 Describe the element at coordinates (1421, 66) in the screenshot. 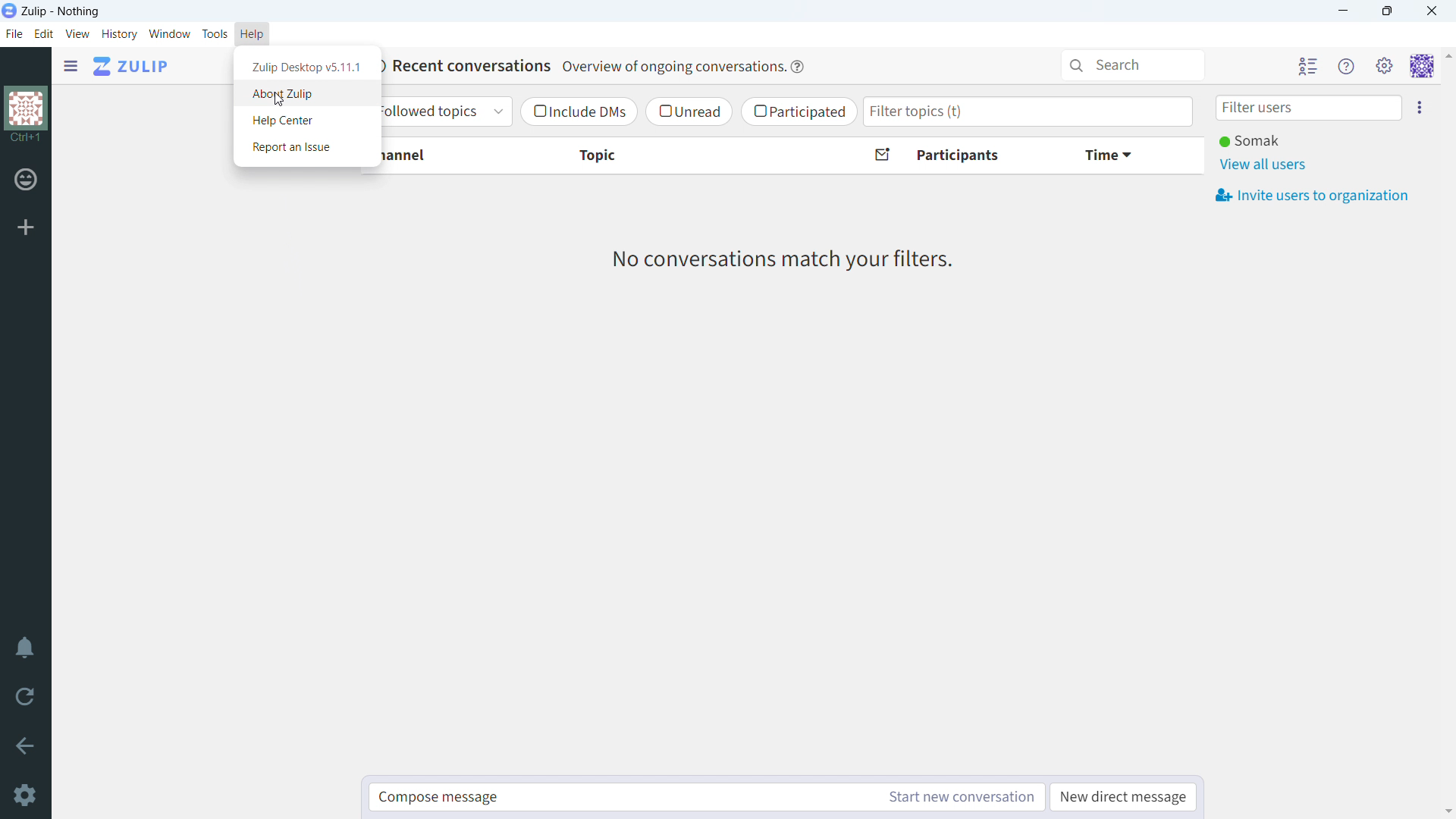

I see `personal menu` at that location.